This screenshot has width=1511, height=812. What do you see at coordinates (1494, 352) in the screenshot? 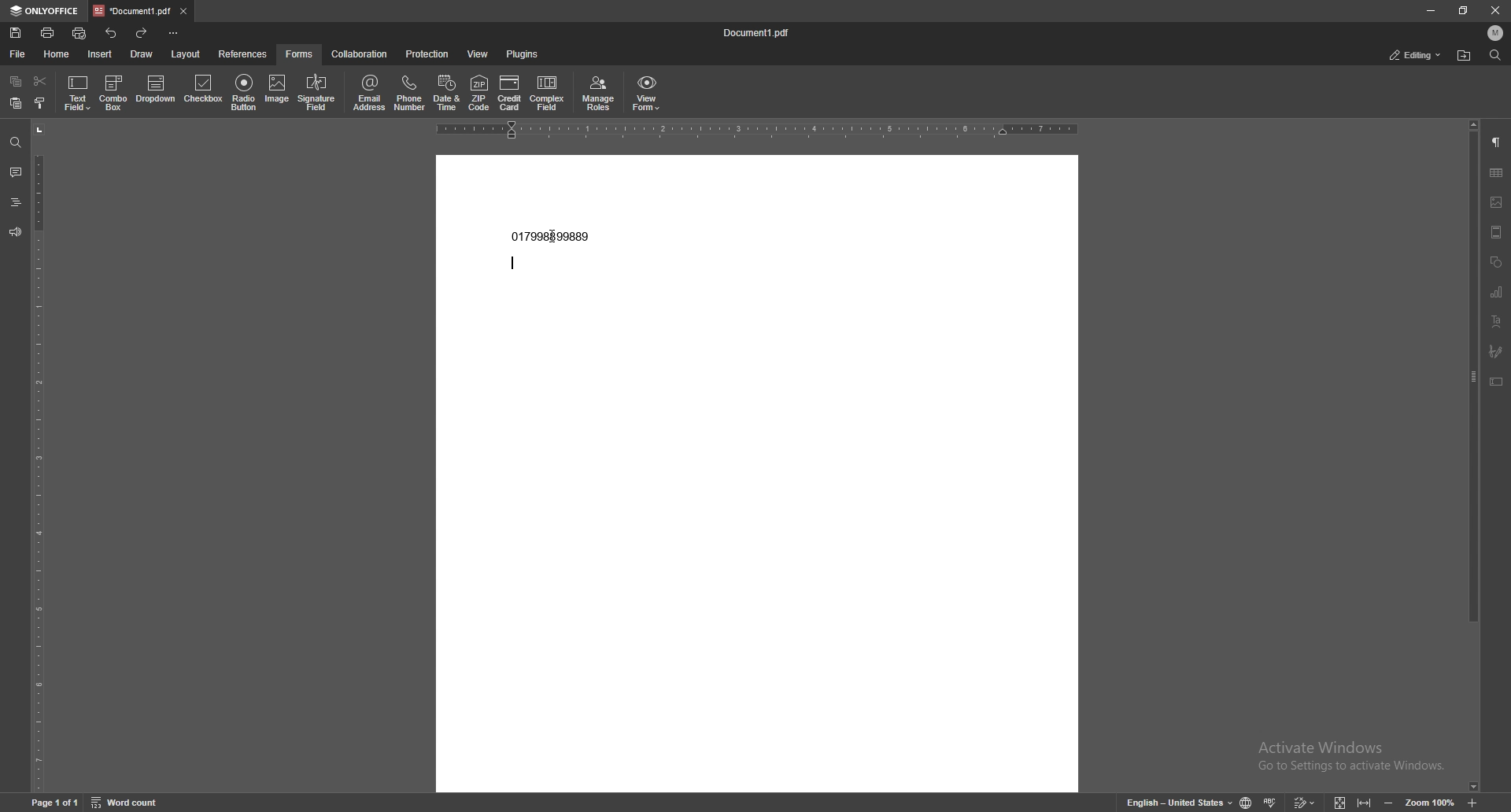
I see `signature` at bounding box center [1494, 352].